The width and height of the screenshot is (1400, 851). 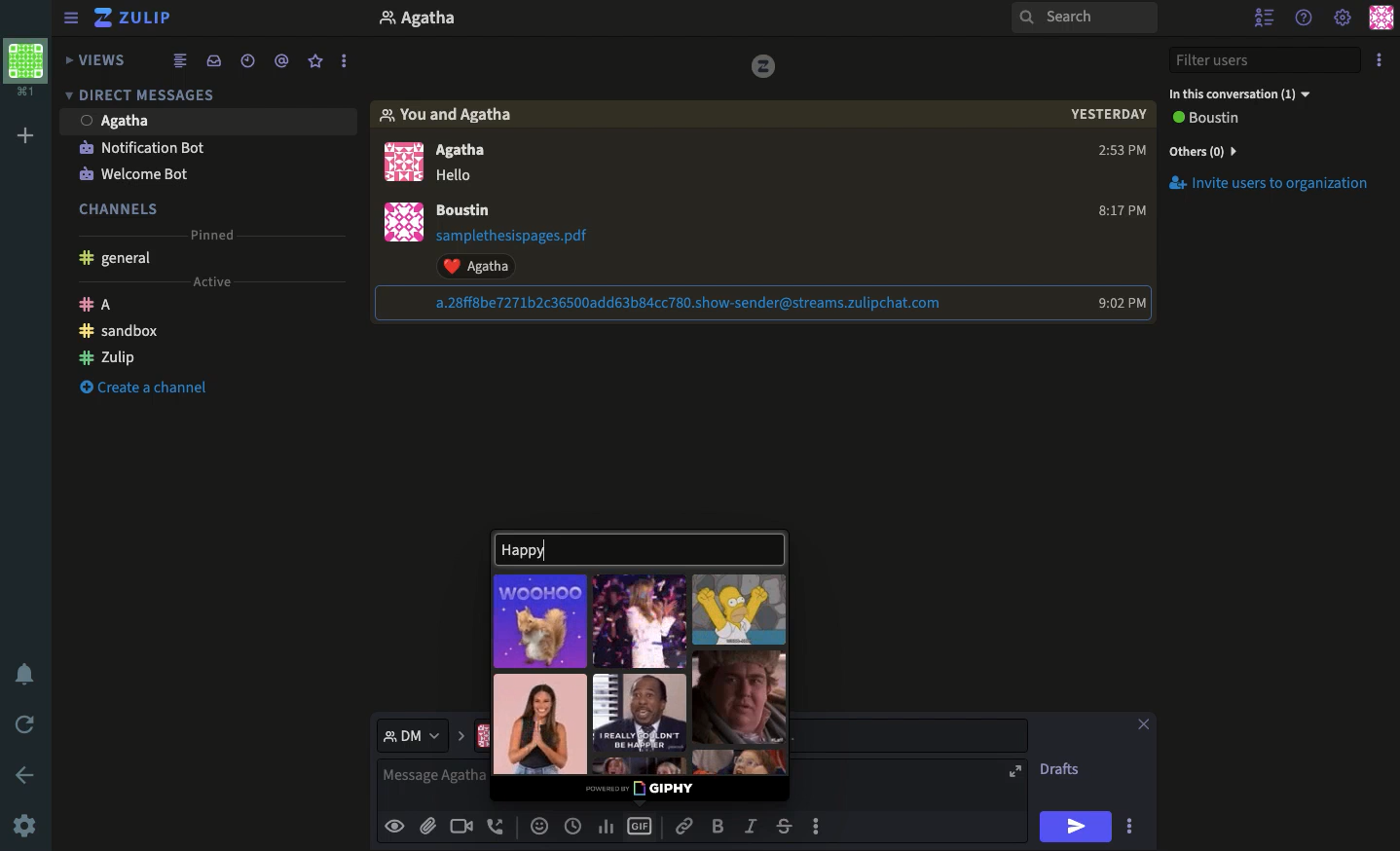 I want to click on thread, so click(x=285, y=62).